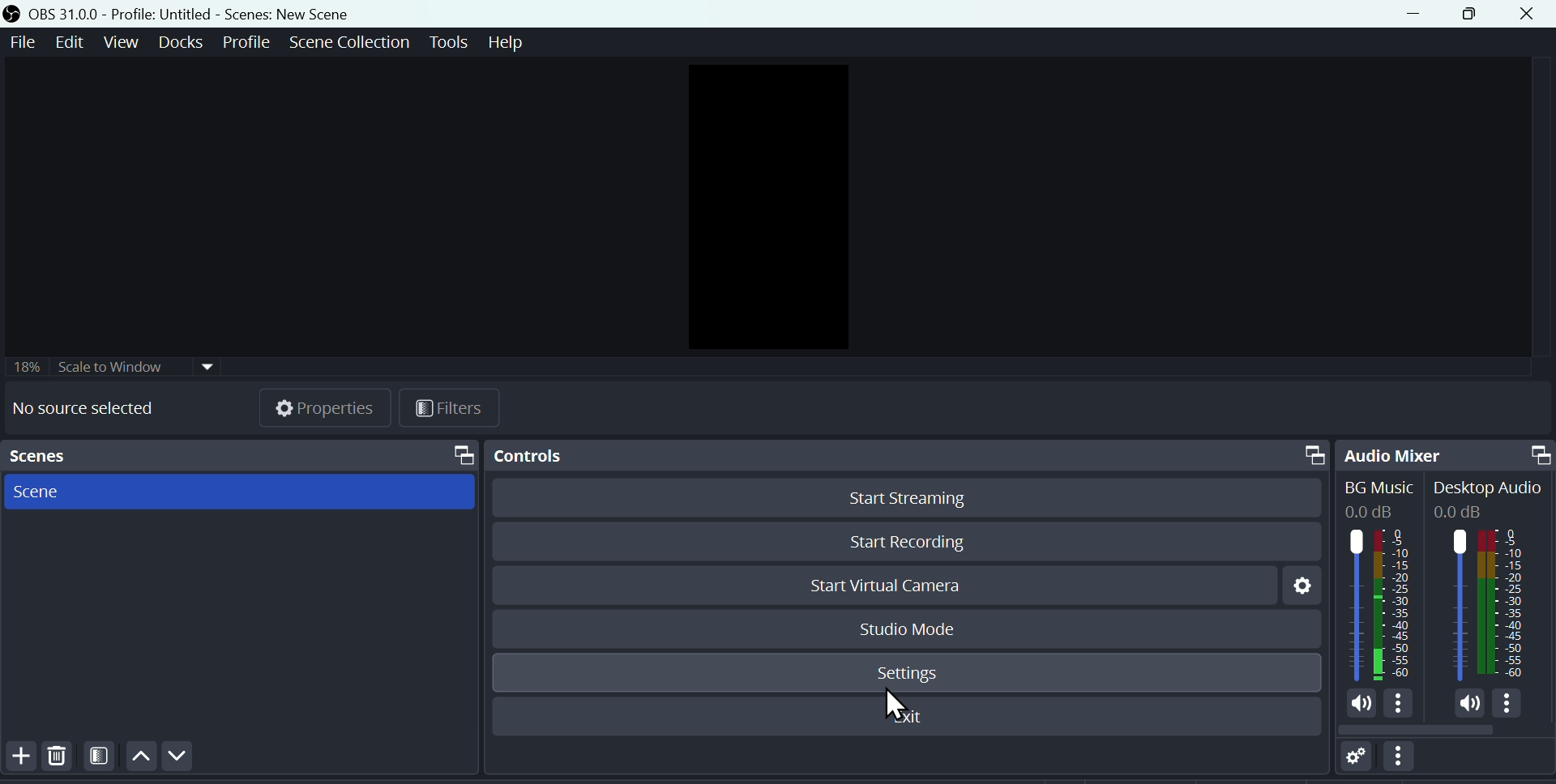 The image size is (1556, 784). What do you see at coordinates (21, 47) in the screenshot?
I see `file` at bounding box center [21, 47].